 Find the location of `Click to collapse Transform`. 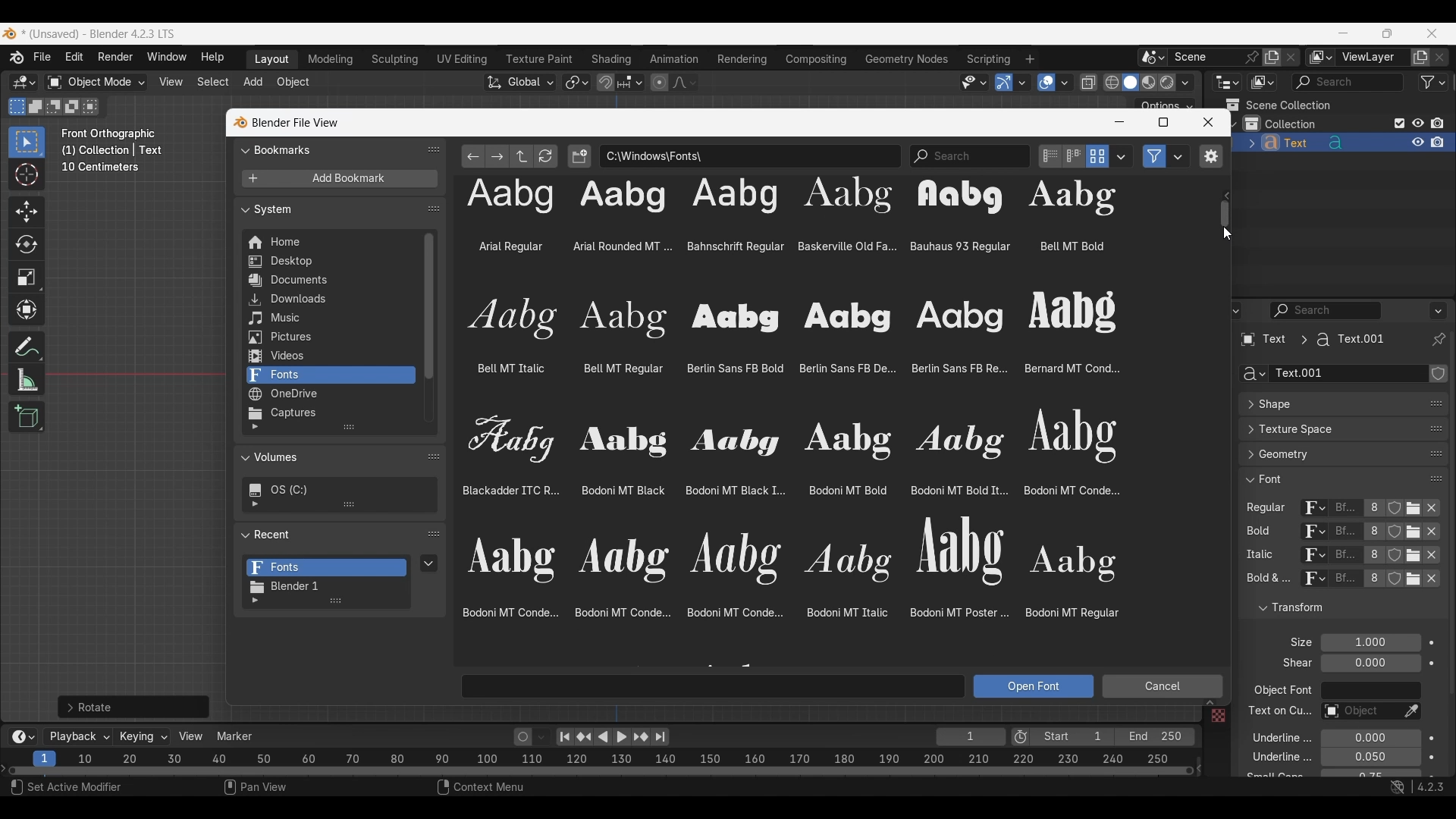

Click to collapse Transform is located at coordinates (1330, 608).